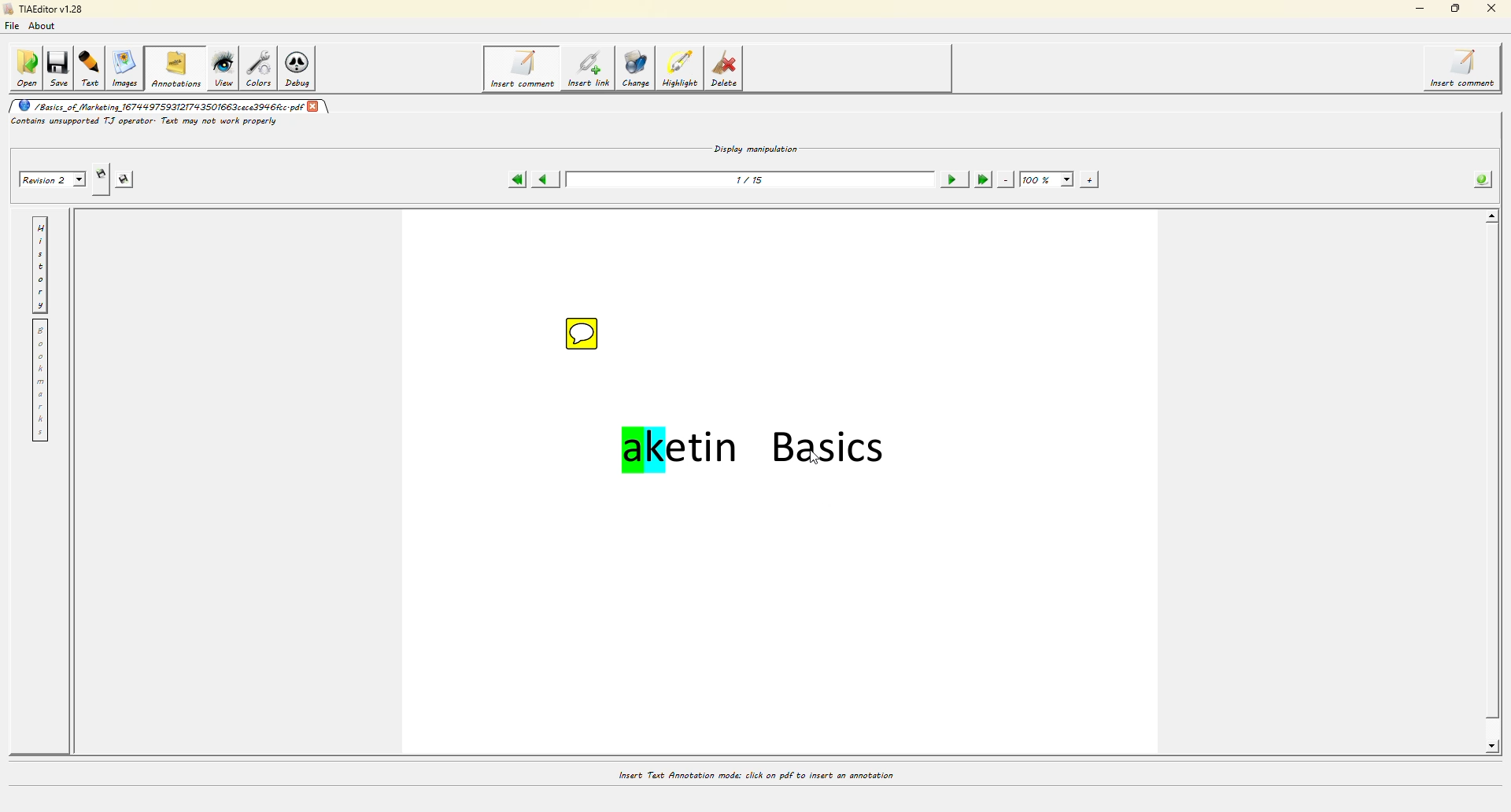  I want to click on scroll bar, so click(1494, 489).